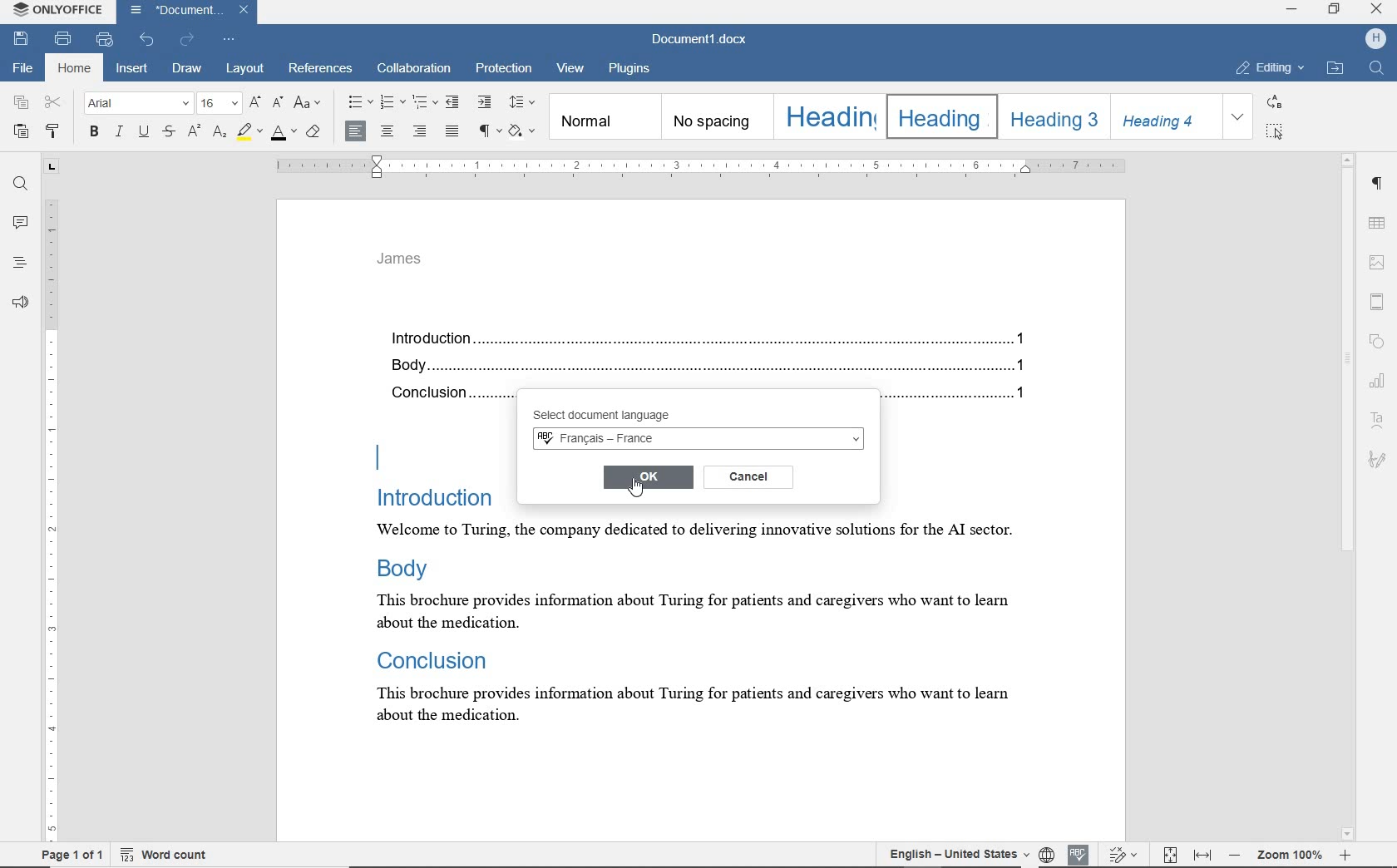  Describe the element at coordinates (649, 477) in the screenshot. I see `OK` at that location.